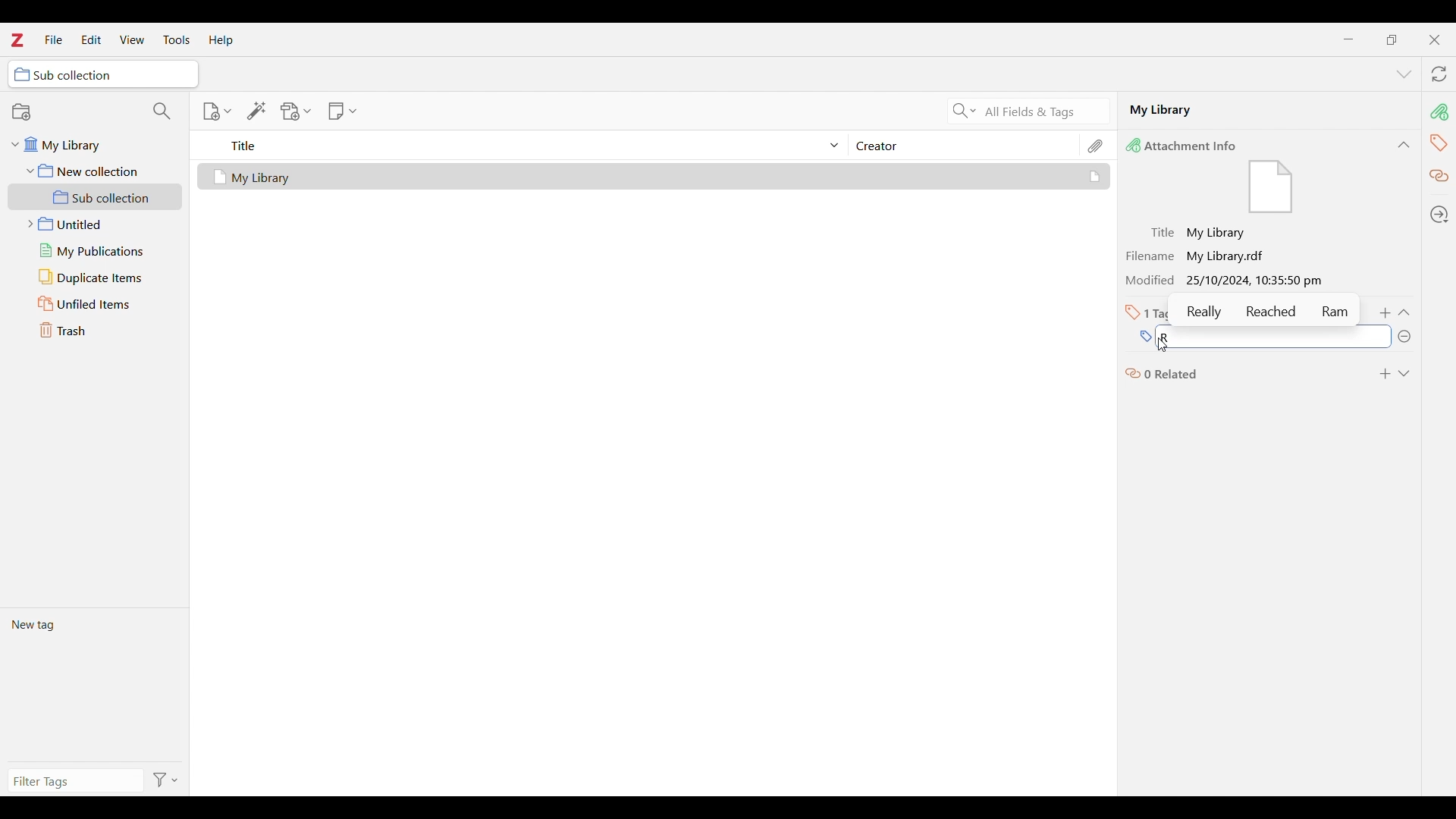 The height and width of the screenshot is (819, 1456). I want to click on Filter collections, so click(162, 111).